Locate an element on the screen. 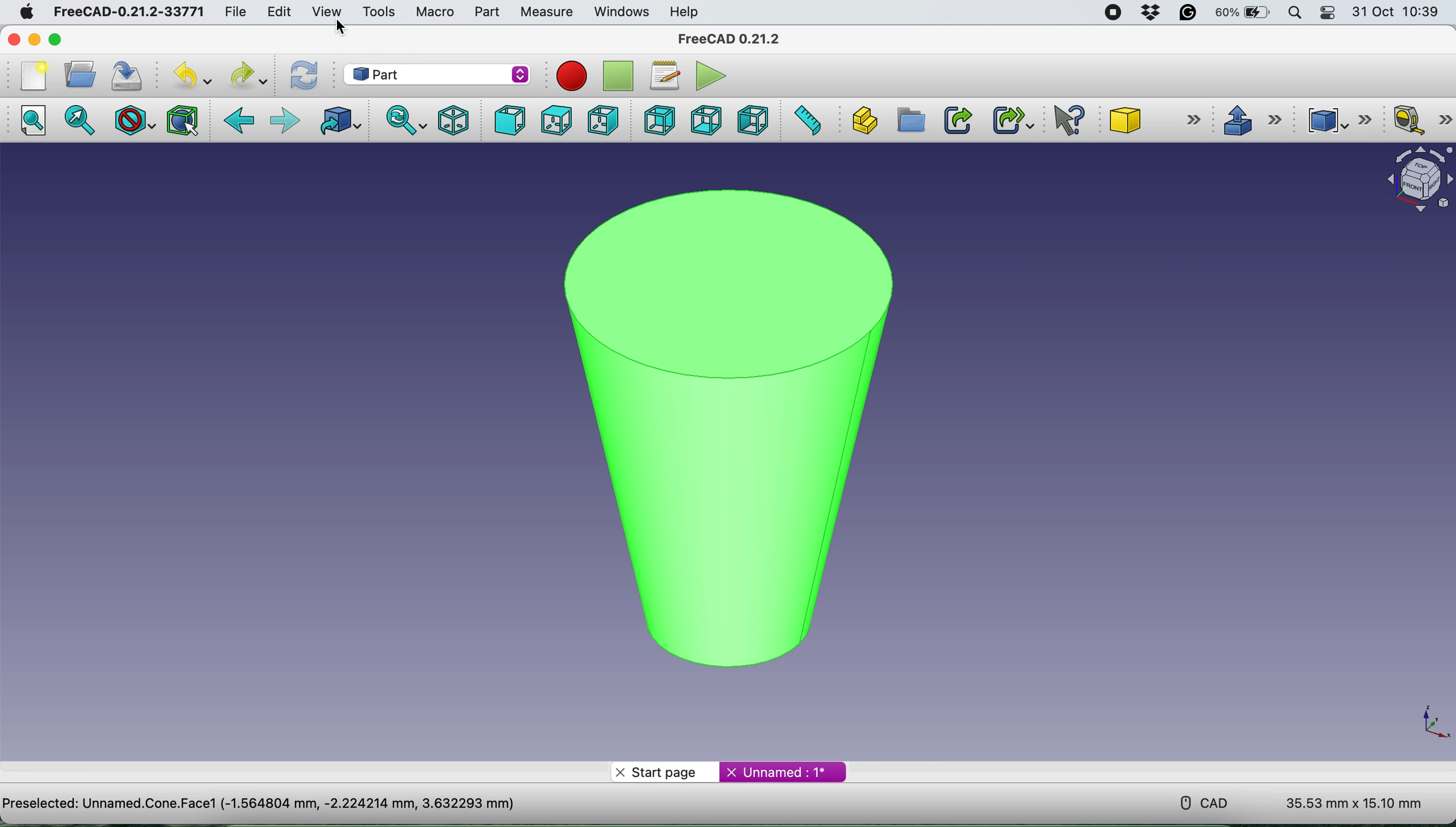  grammarly is located at coordinates (1189, 15).